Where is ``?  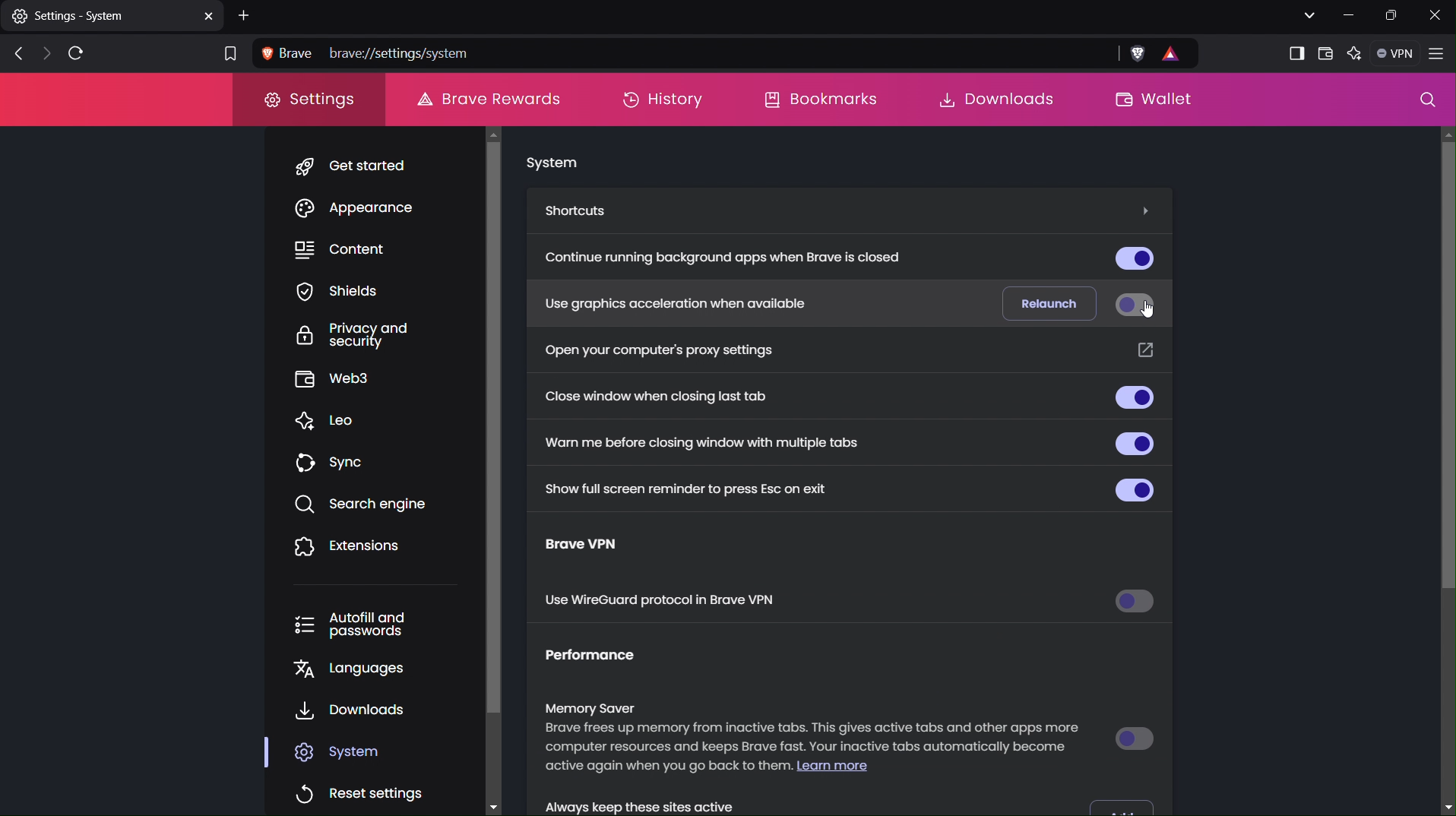
 is located at coordinates (1141, 210).